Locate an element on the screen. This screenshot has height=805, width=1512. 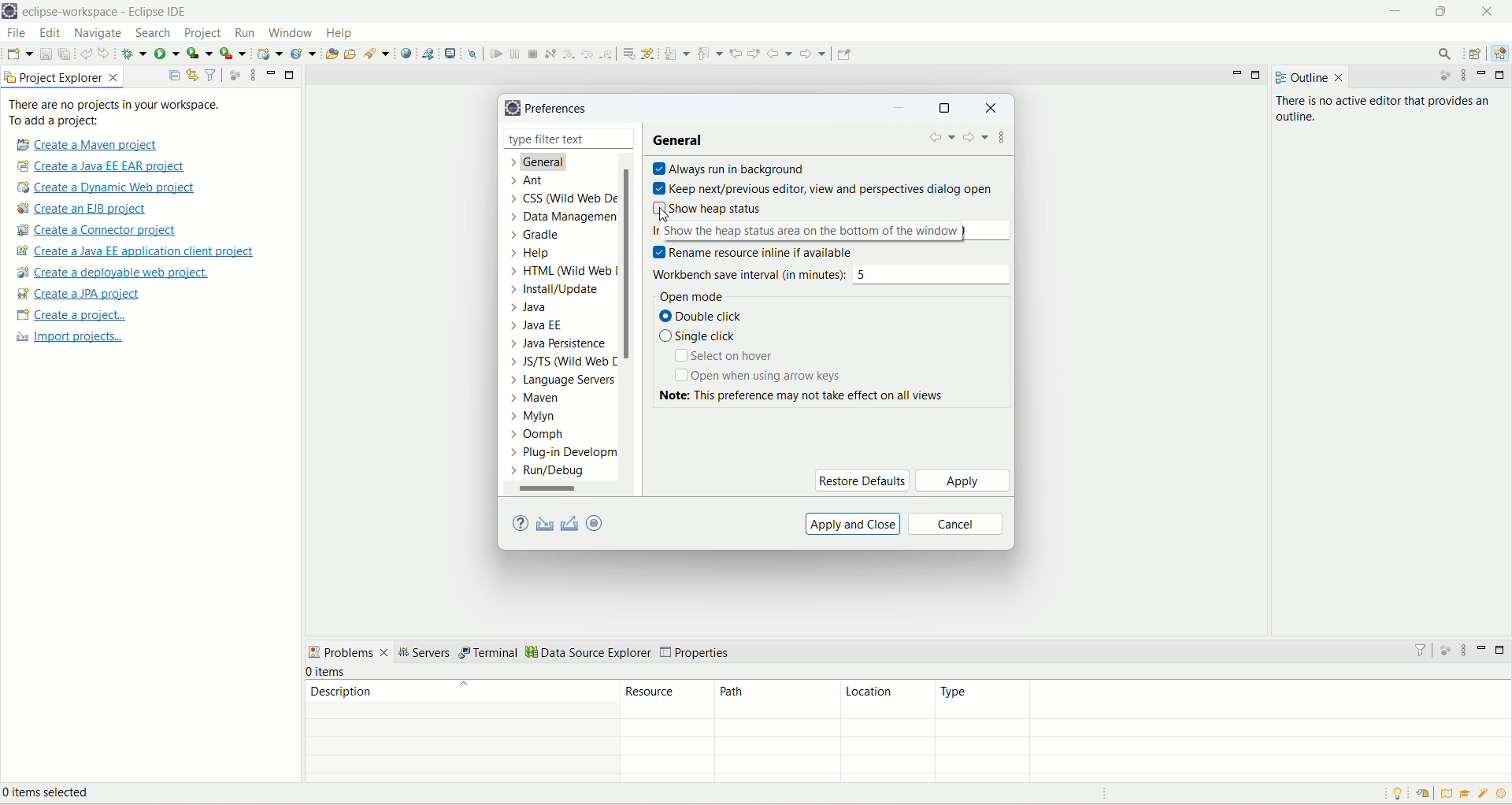
properties is located at coordinates (697, 653).